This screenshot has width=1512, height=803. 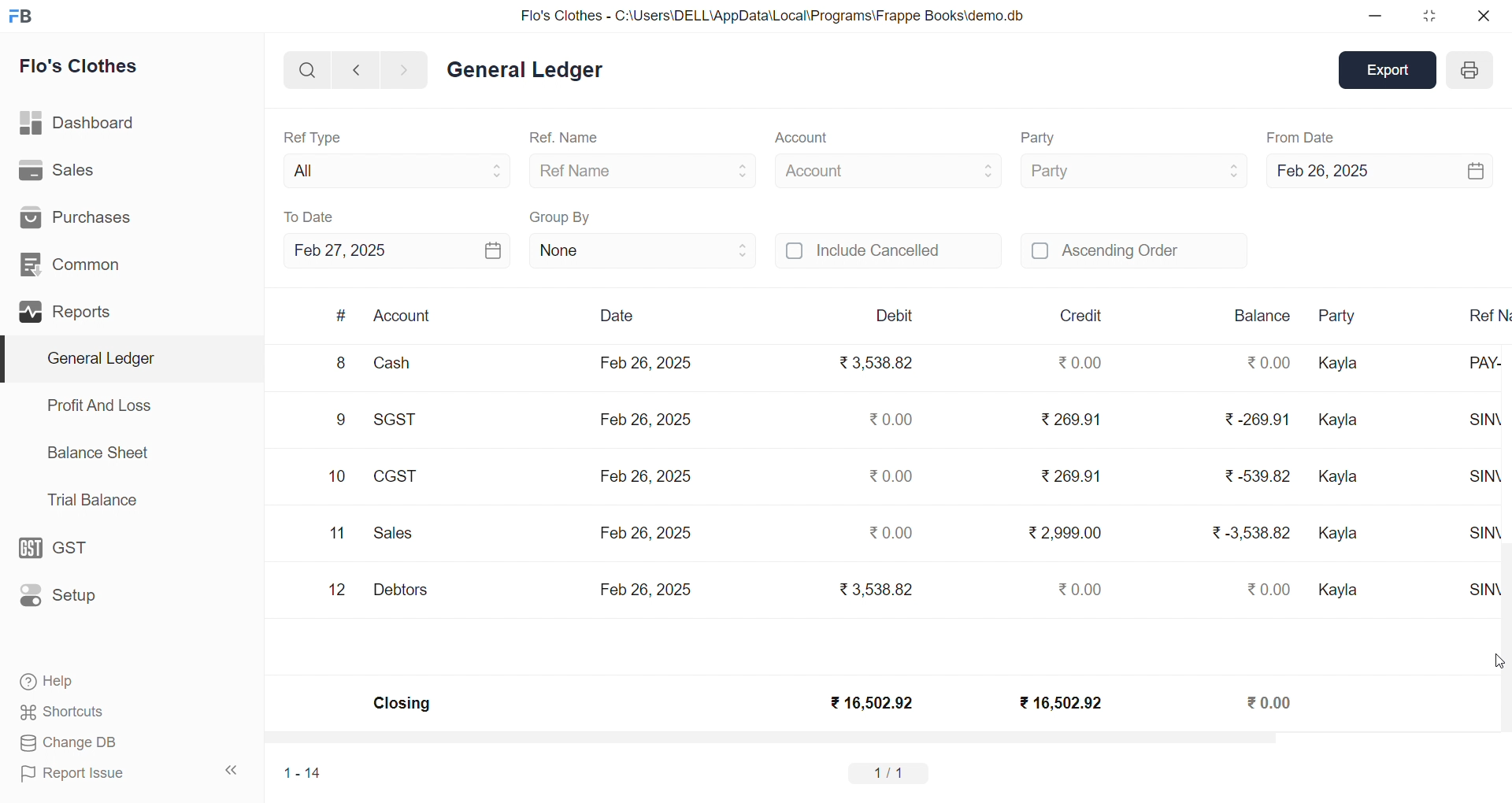 What do you see at coordinates (1490, 538) in the screenshot?
I see `SINV-` at bounding box center [1490, 538].